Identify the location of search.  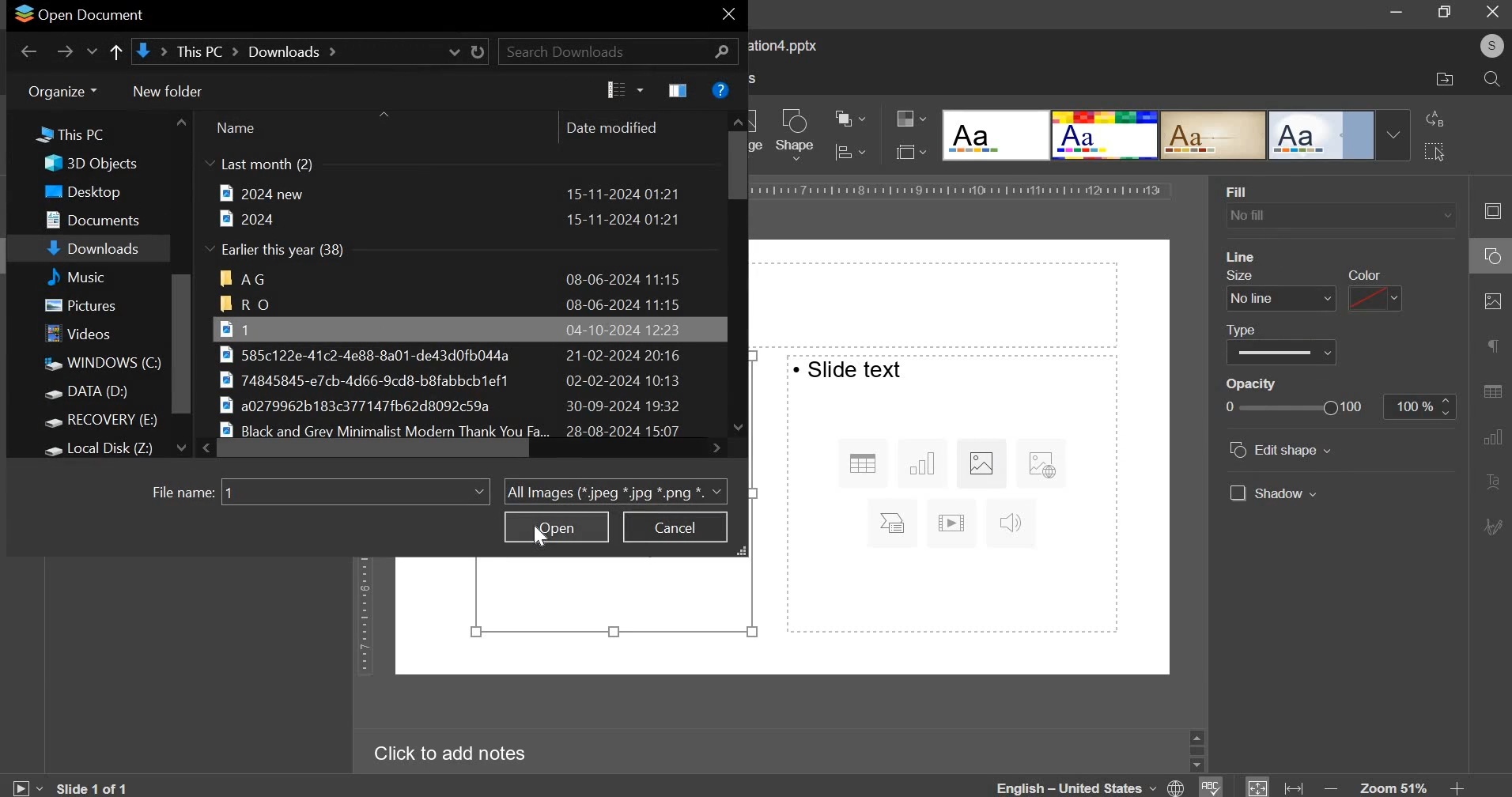
(618, 51).